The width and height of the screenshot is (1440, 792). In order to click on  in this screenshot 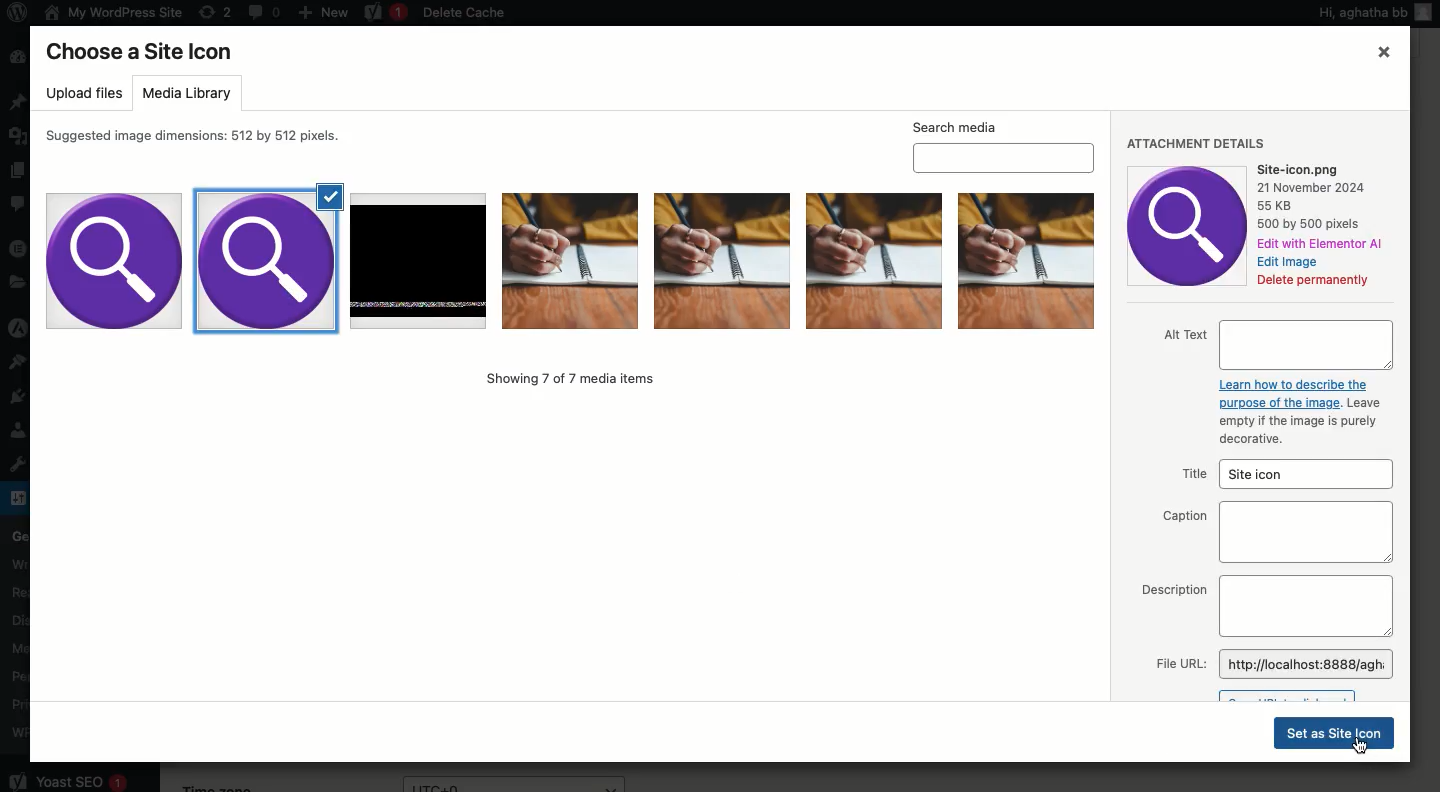, I will do `click(872, 259)`.